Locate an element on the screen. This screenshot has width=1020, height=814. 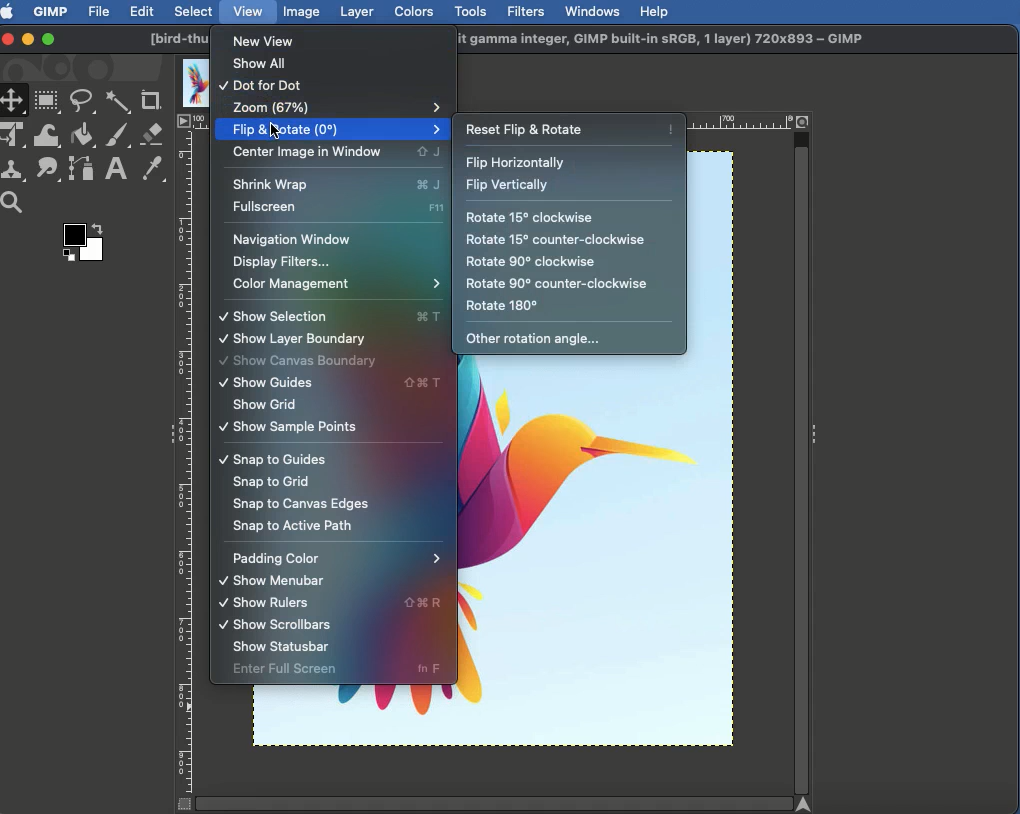
File is located at coordinates (100, 10).